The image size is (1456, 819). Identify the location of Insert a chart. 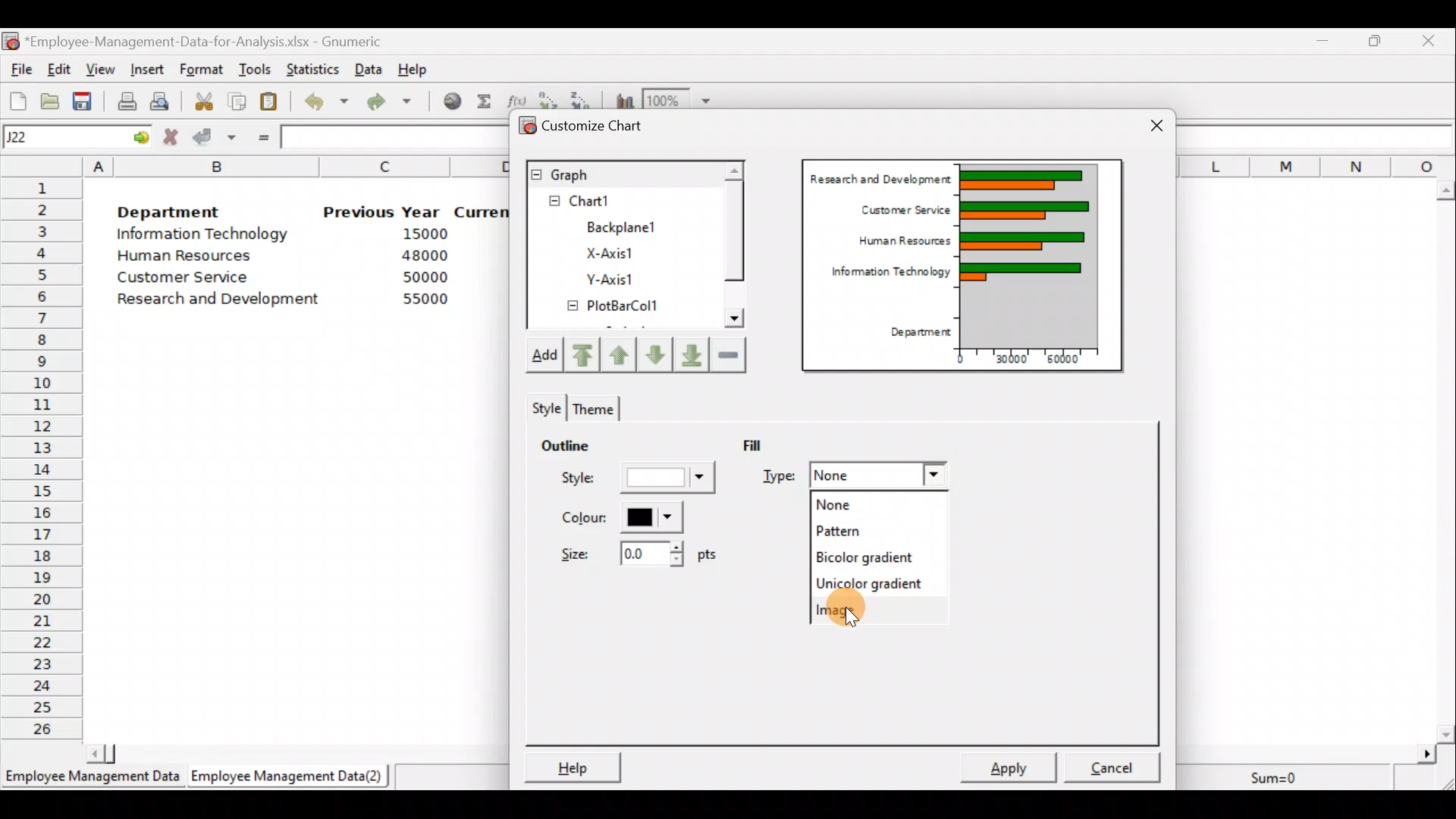
(622, 99).